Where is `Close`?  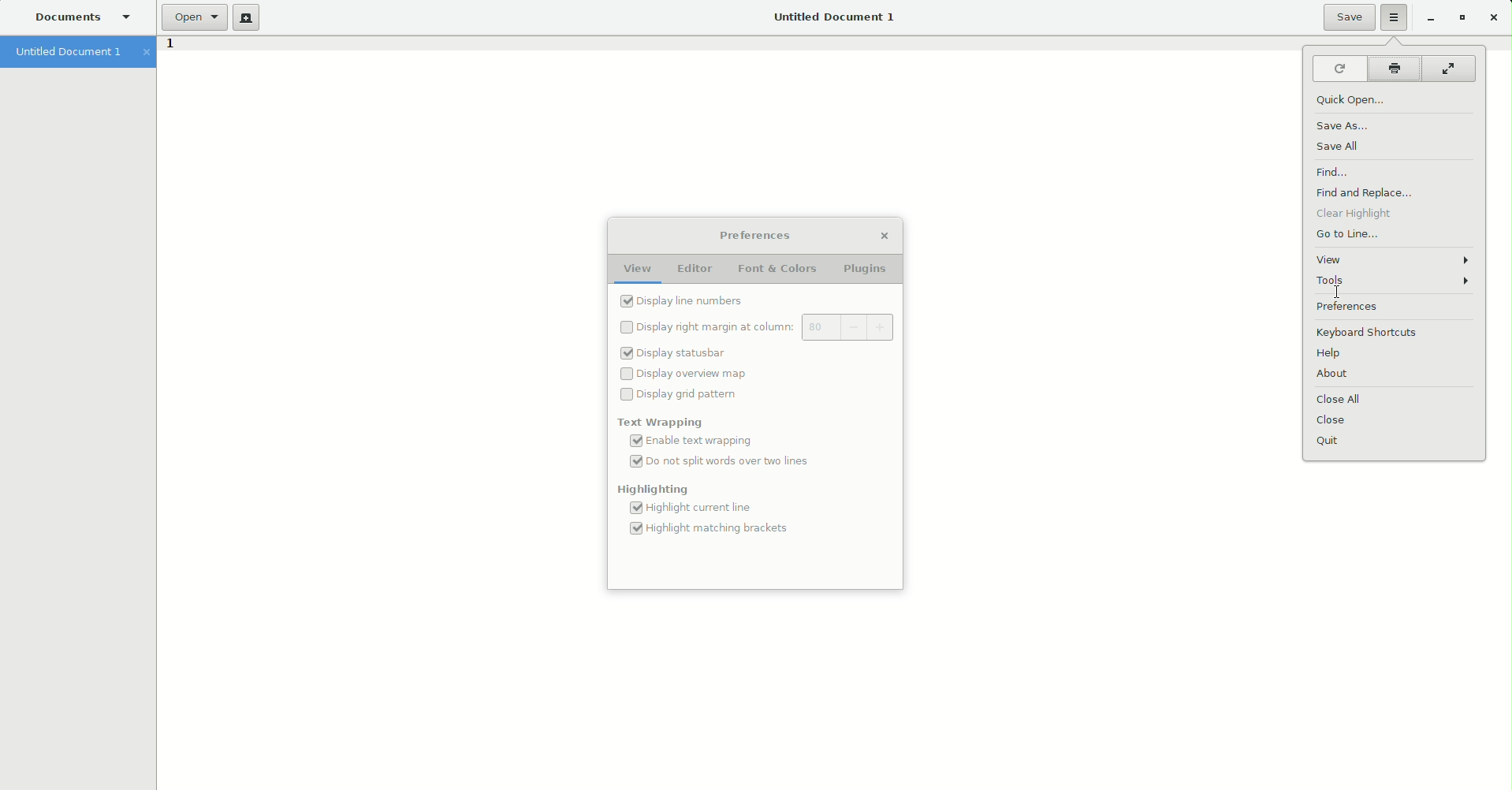
Close is located at coordinates (1331, 422).